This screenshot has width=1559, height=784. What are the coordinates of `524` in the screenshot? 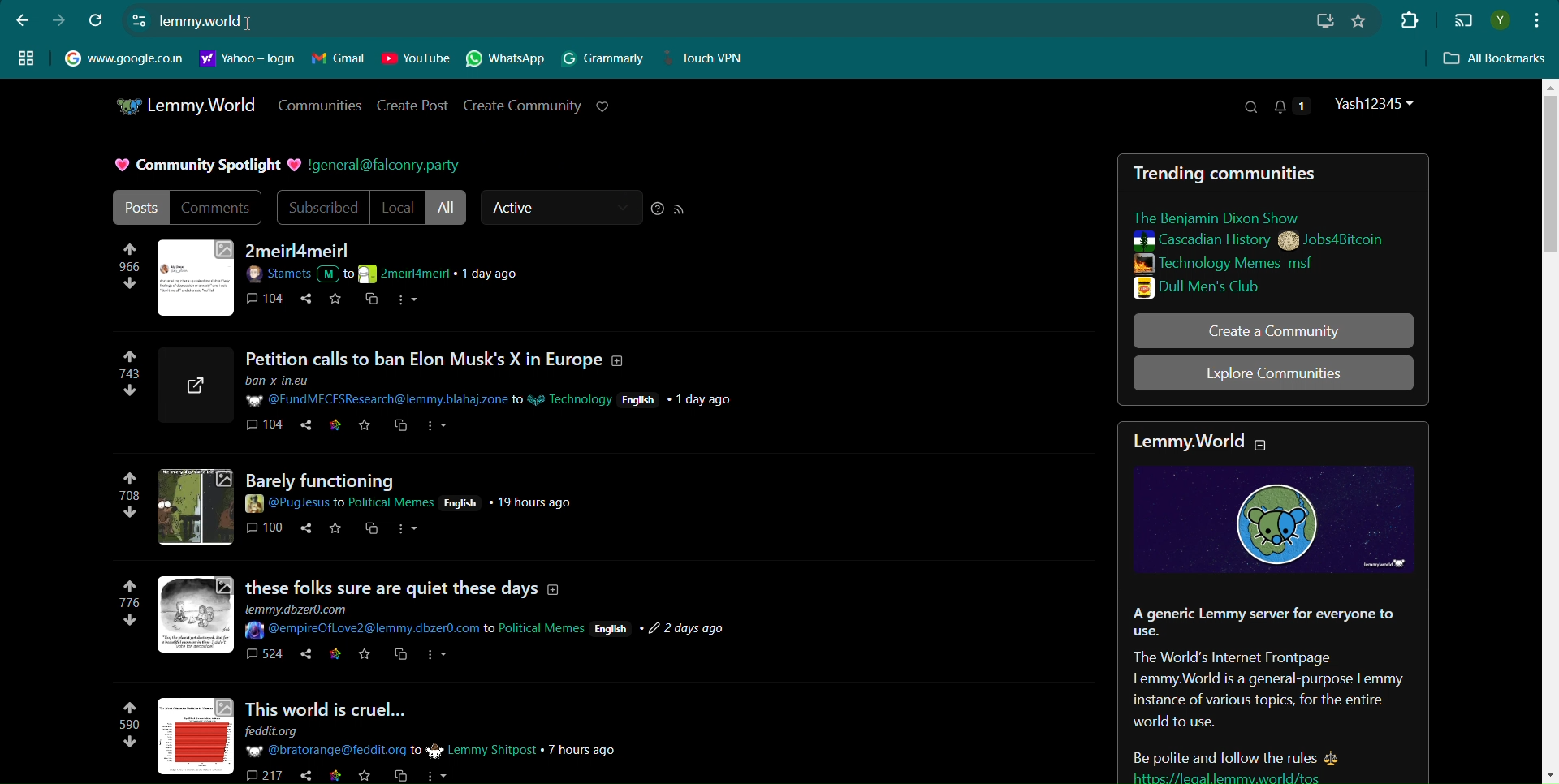 It's located at (263, 658).